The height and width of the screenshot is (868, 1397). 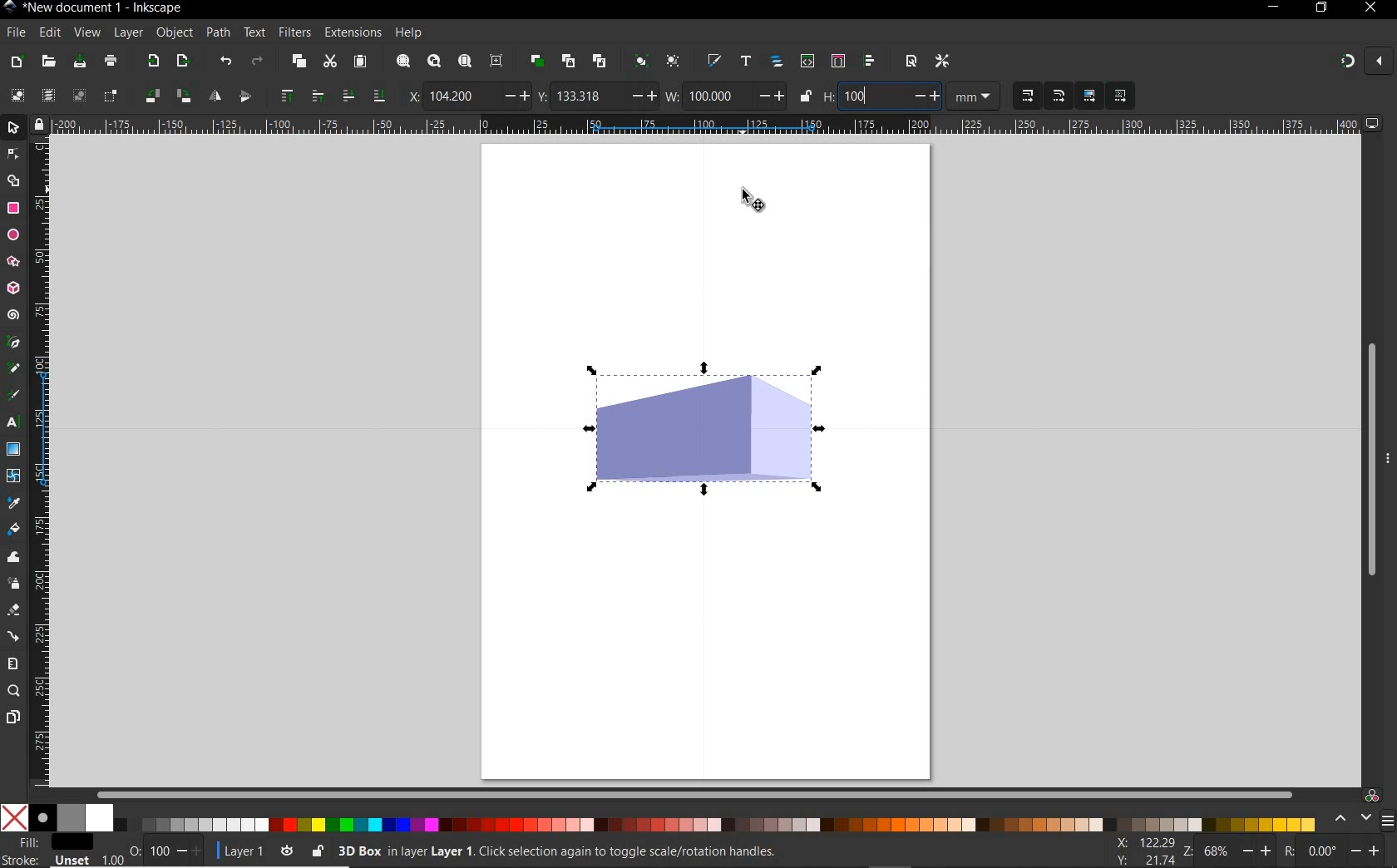 I want to click on open document properties, so click(x=911, y=62).